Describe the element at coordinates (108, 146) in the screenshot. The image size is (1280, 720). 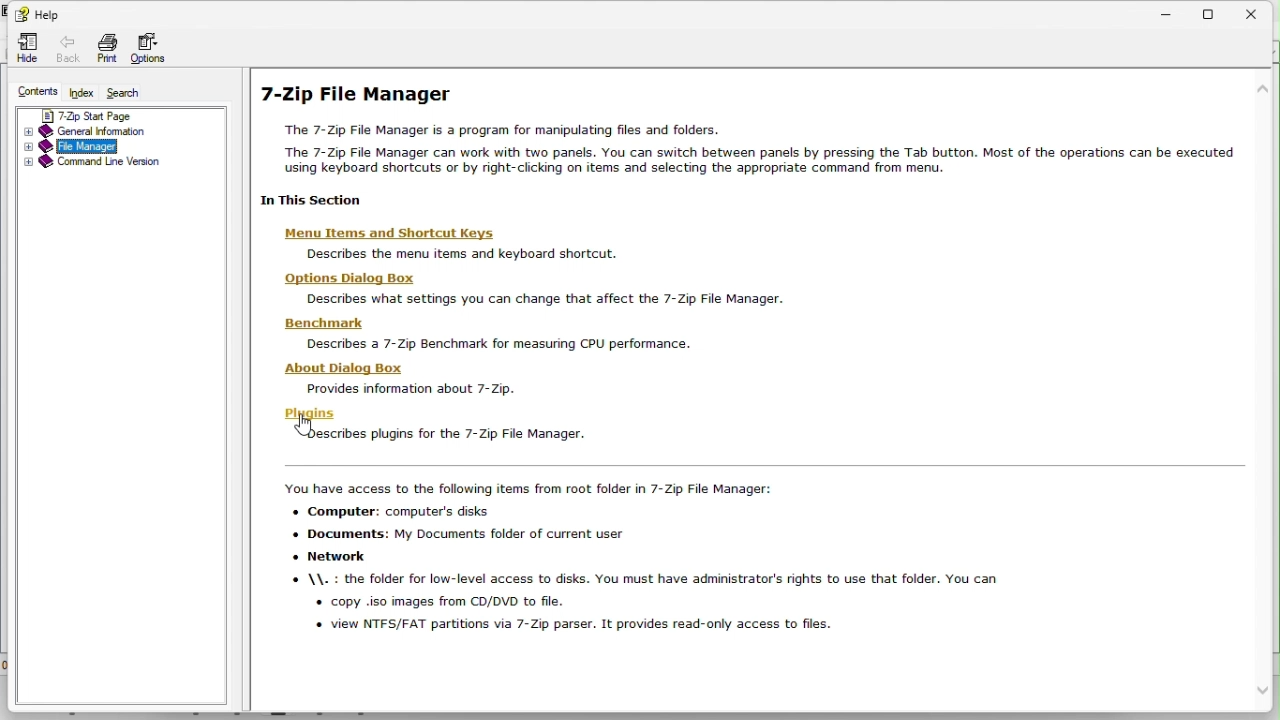
I see `File manager` at that location.